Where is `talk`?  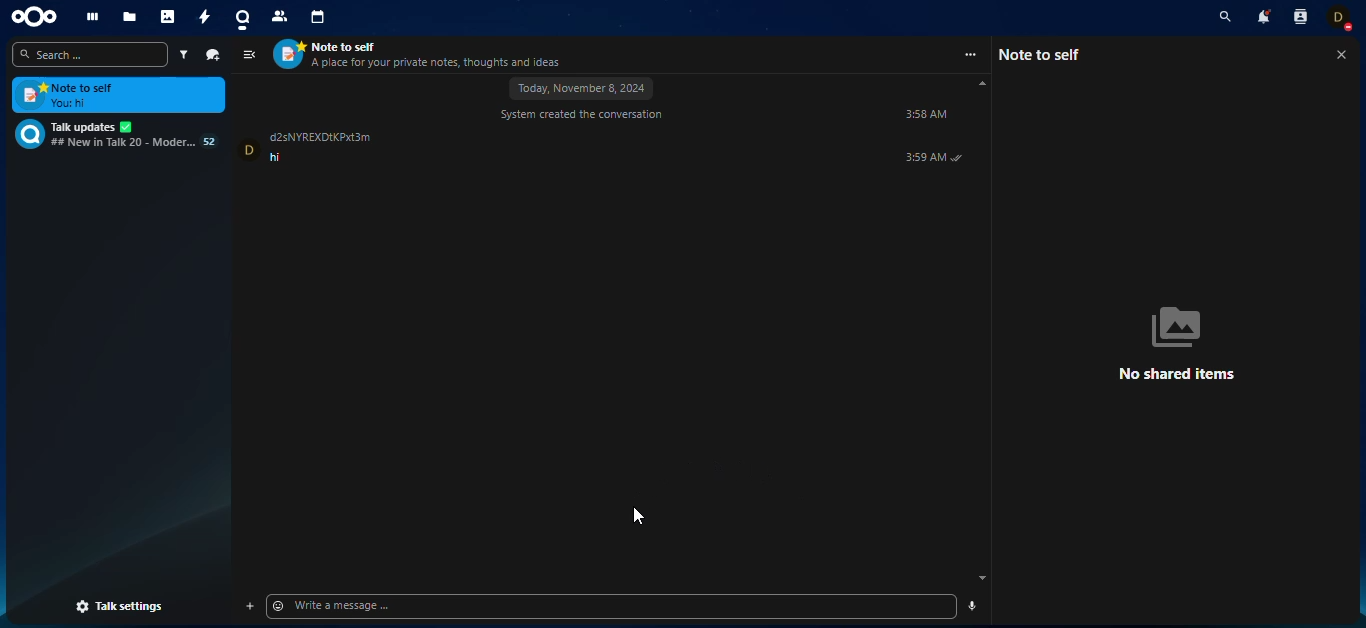 talk is located at coordinates (241, 19).